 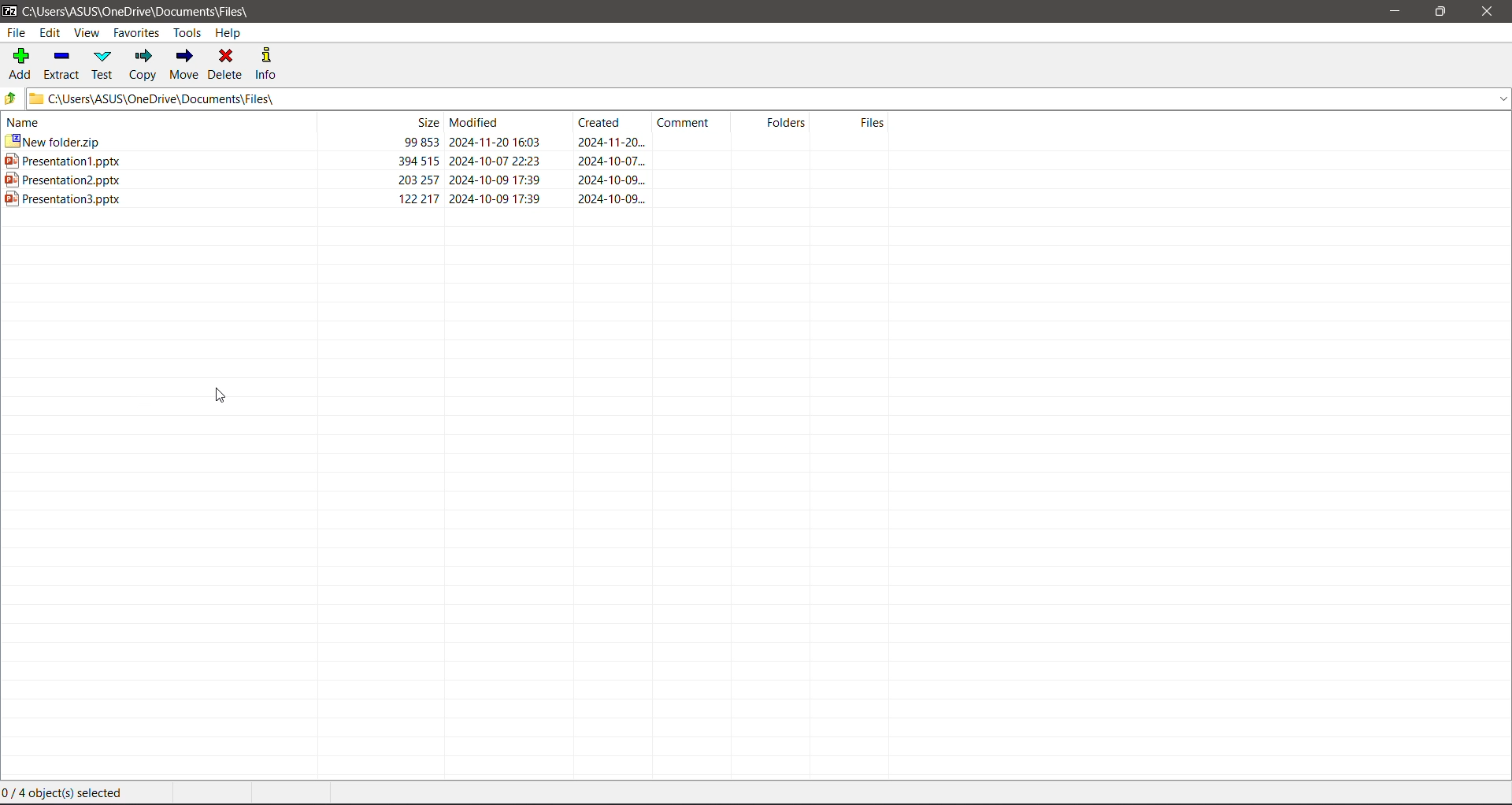 I want to click on comment, so click(x=687, y=121).